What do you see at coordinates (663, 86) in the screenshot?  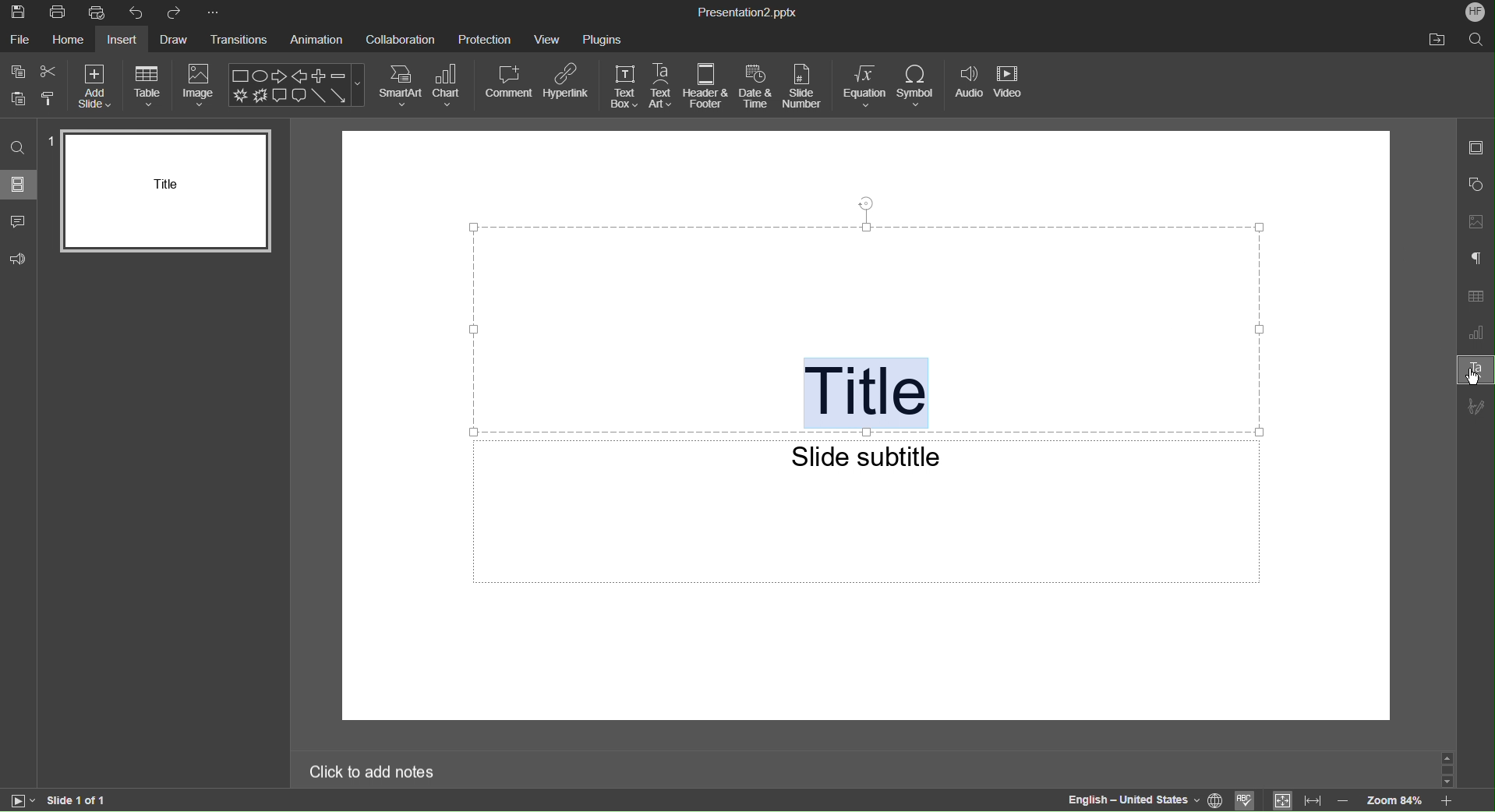 I see `Text Art` at bounding box center [663, 86].